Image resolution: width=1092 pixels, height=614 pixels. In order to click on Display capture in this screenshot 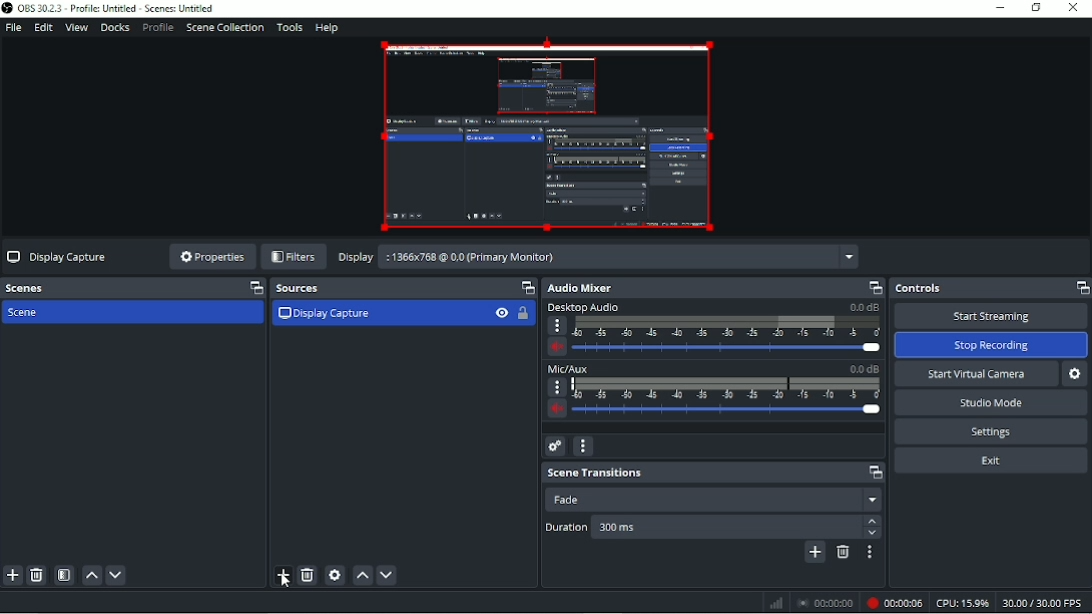, I will do `click(57, 257)`.